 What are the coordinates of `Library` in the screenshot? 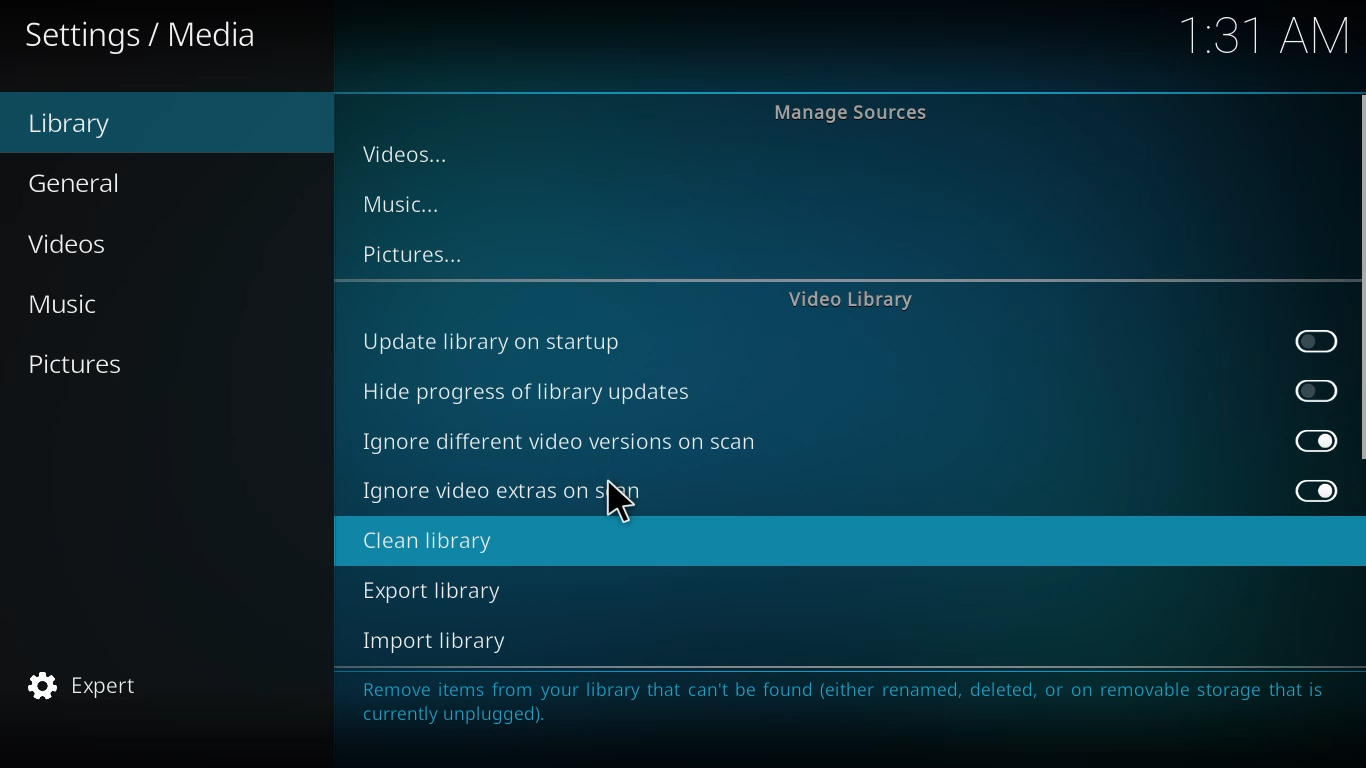 It's located at (77, 129).